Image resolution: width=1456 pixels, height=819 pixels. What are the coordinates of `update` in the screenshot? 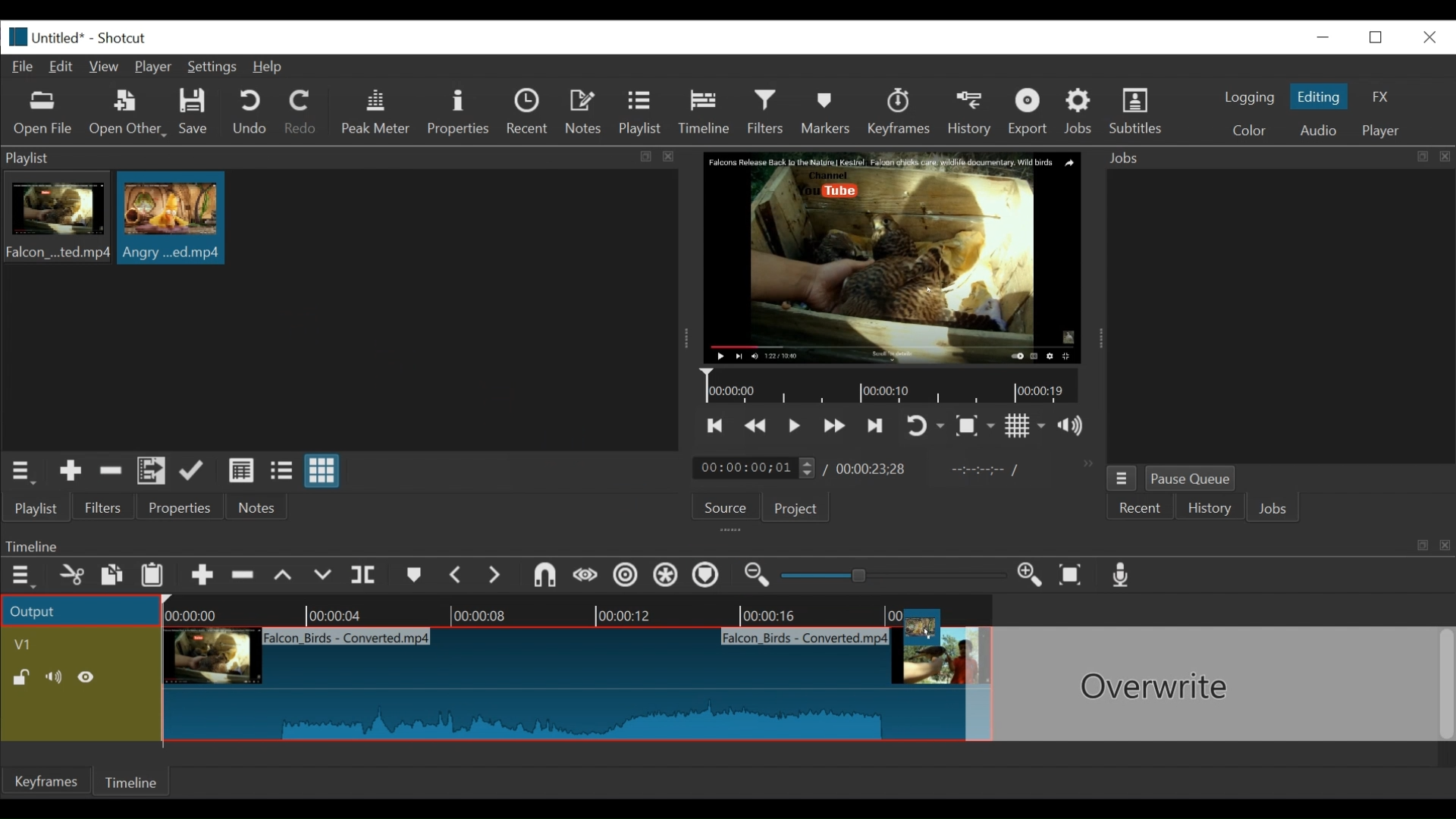 It's located at (195, 474).